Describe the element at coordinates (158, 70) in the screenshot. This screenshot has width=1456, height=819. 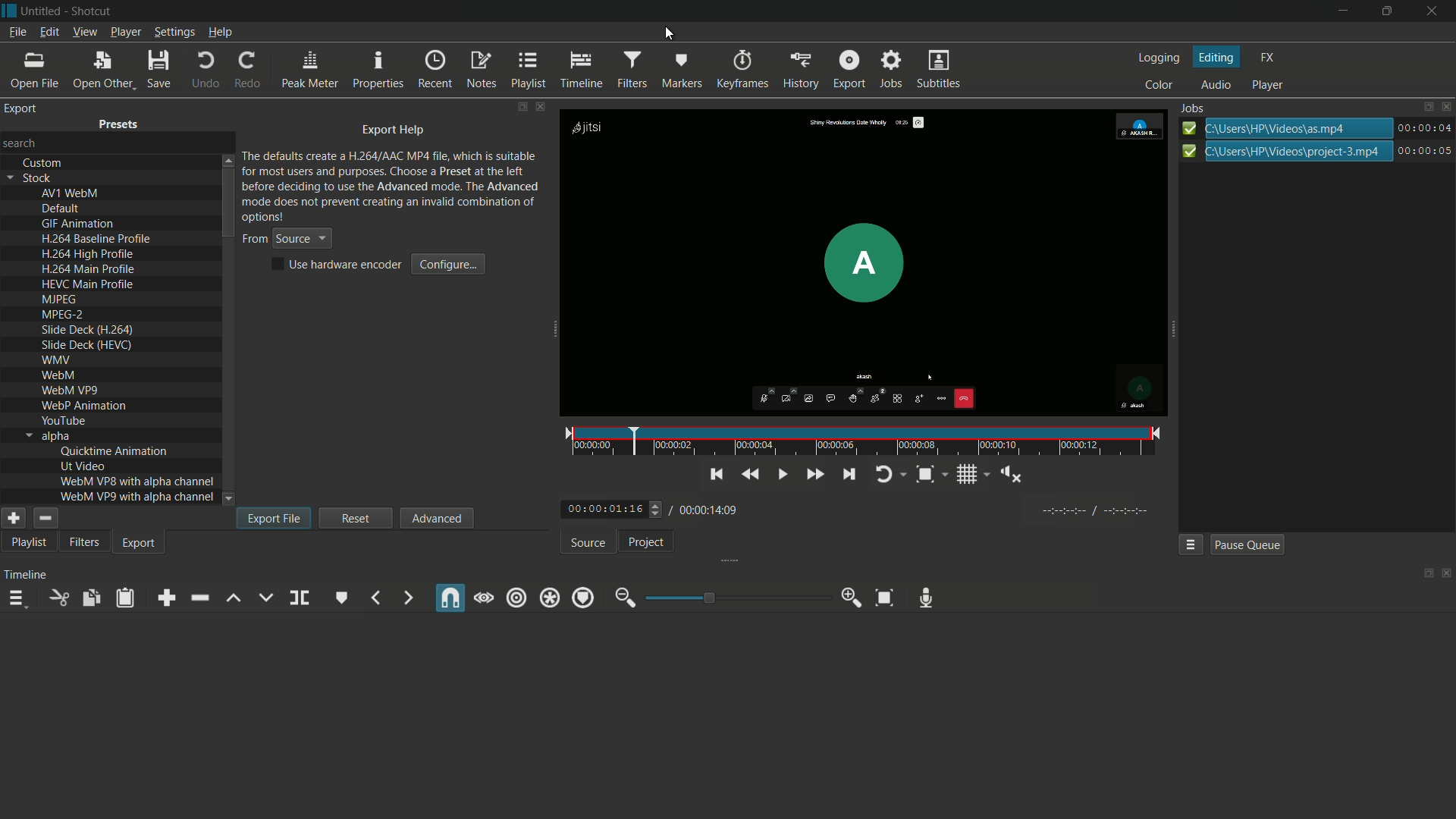
I see `save` at that location.